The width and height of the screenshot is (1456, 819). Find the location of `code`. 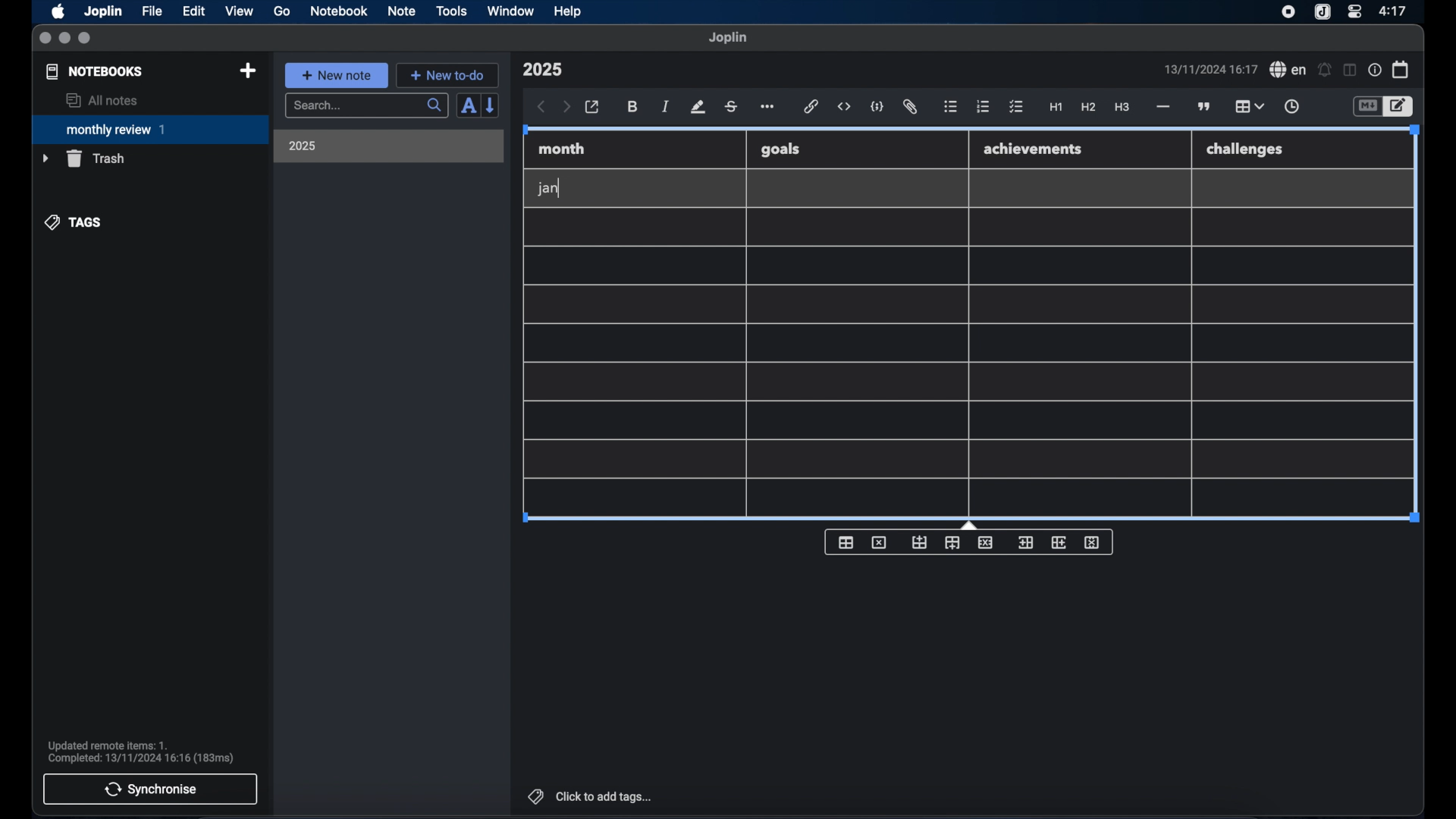

code is located at coordinates (877, 108).